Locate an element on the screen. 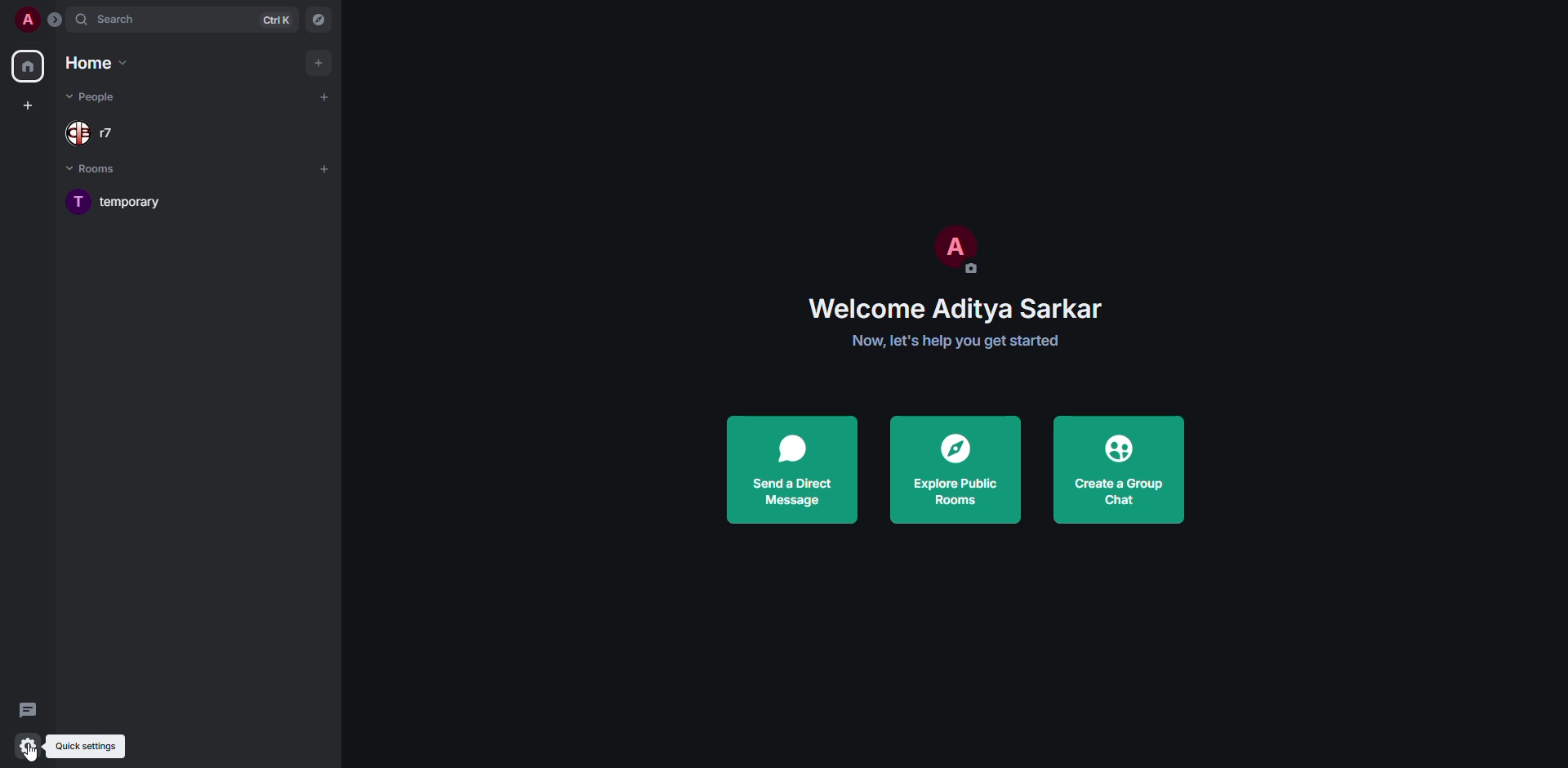  search is located at coordinates (109, 18).